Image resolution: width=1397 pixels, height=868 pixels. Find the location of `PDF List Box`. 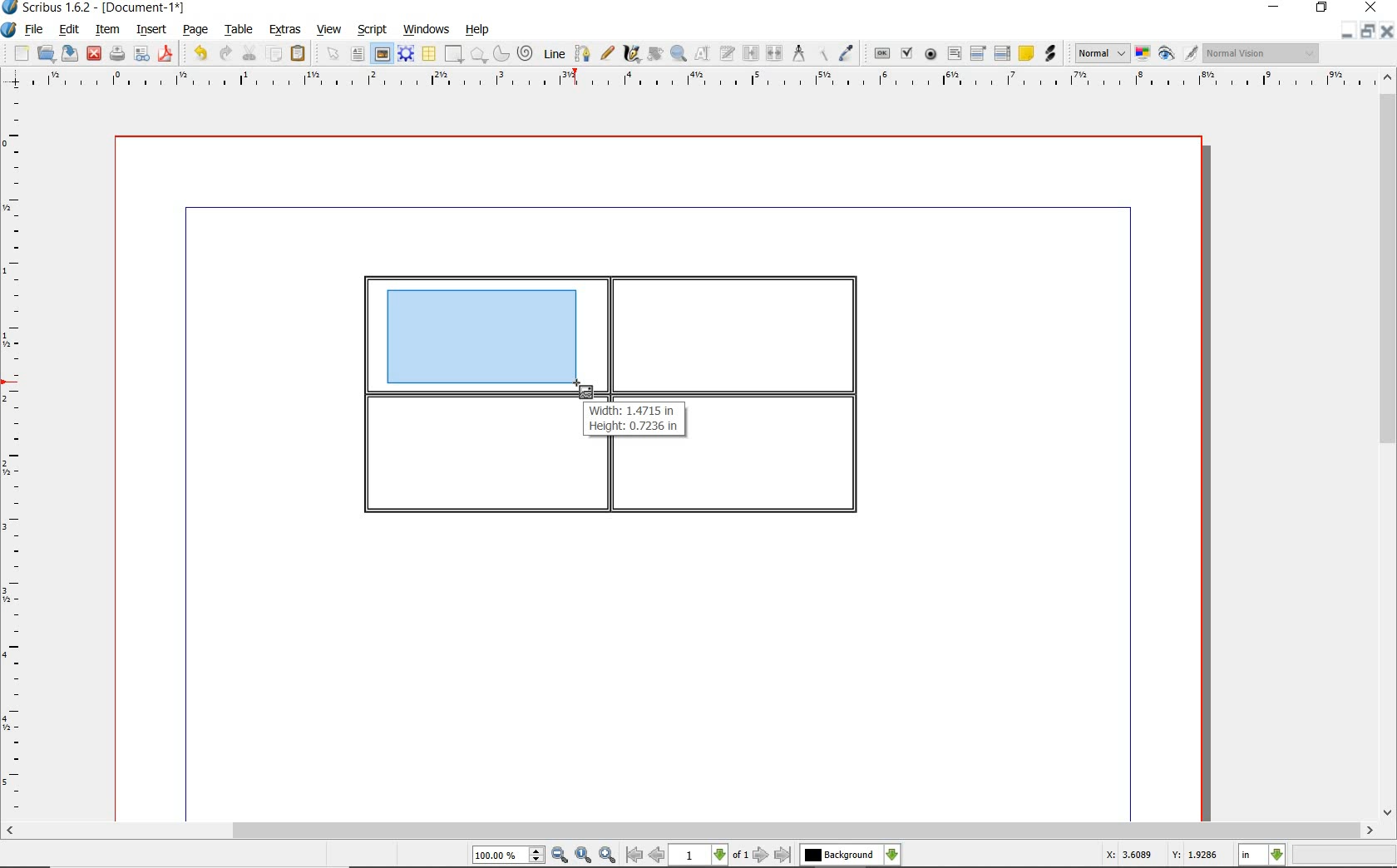

PDF List Box is located at coordinates (1002, 53).